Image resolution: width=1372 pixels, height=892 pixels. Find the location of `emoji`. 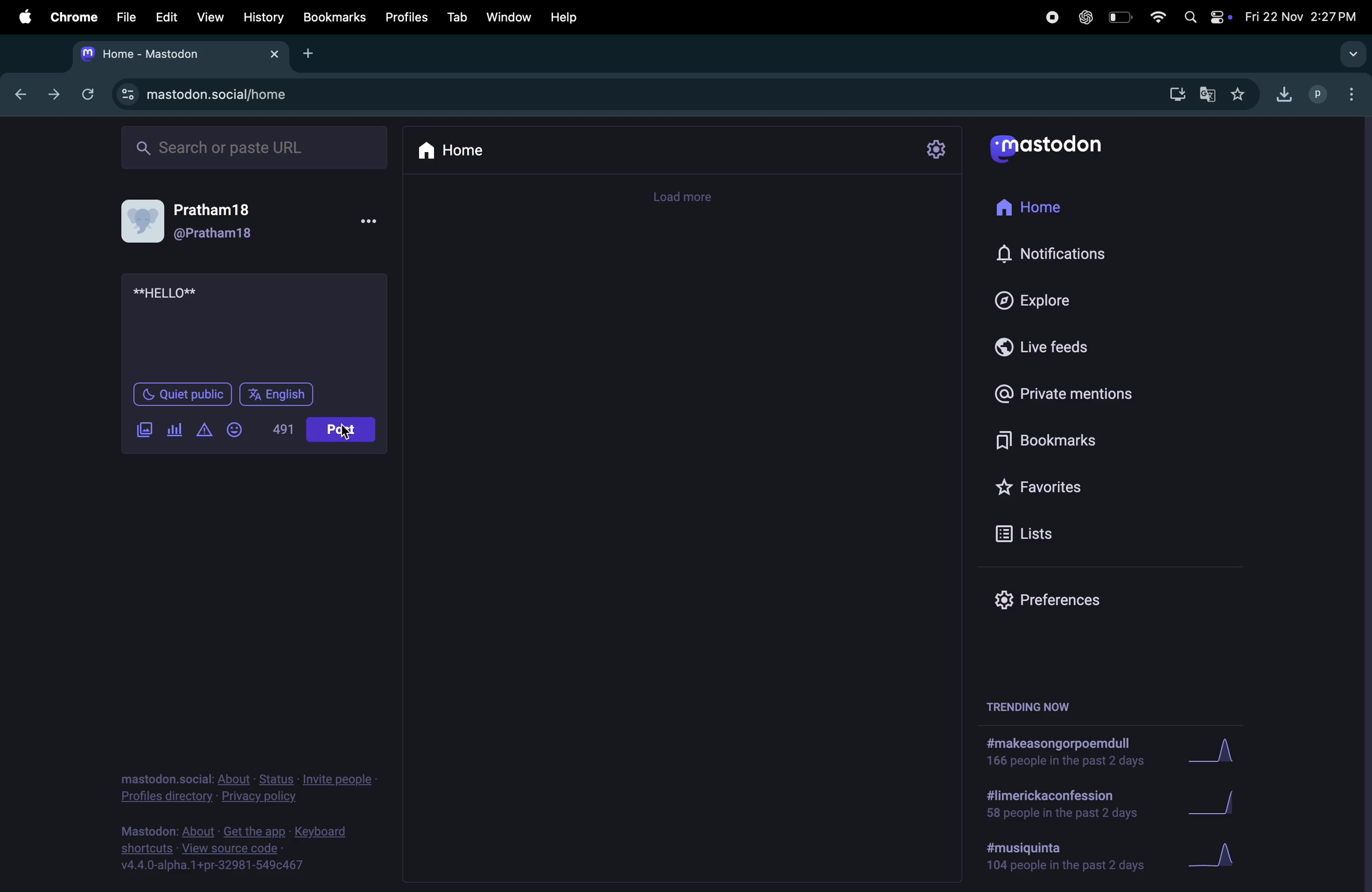

emoji is located at coordinates (235, 430).